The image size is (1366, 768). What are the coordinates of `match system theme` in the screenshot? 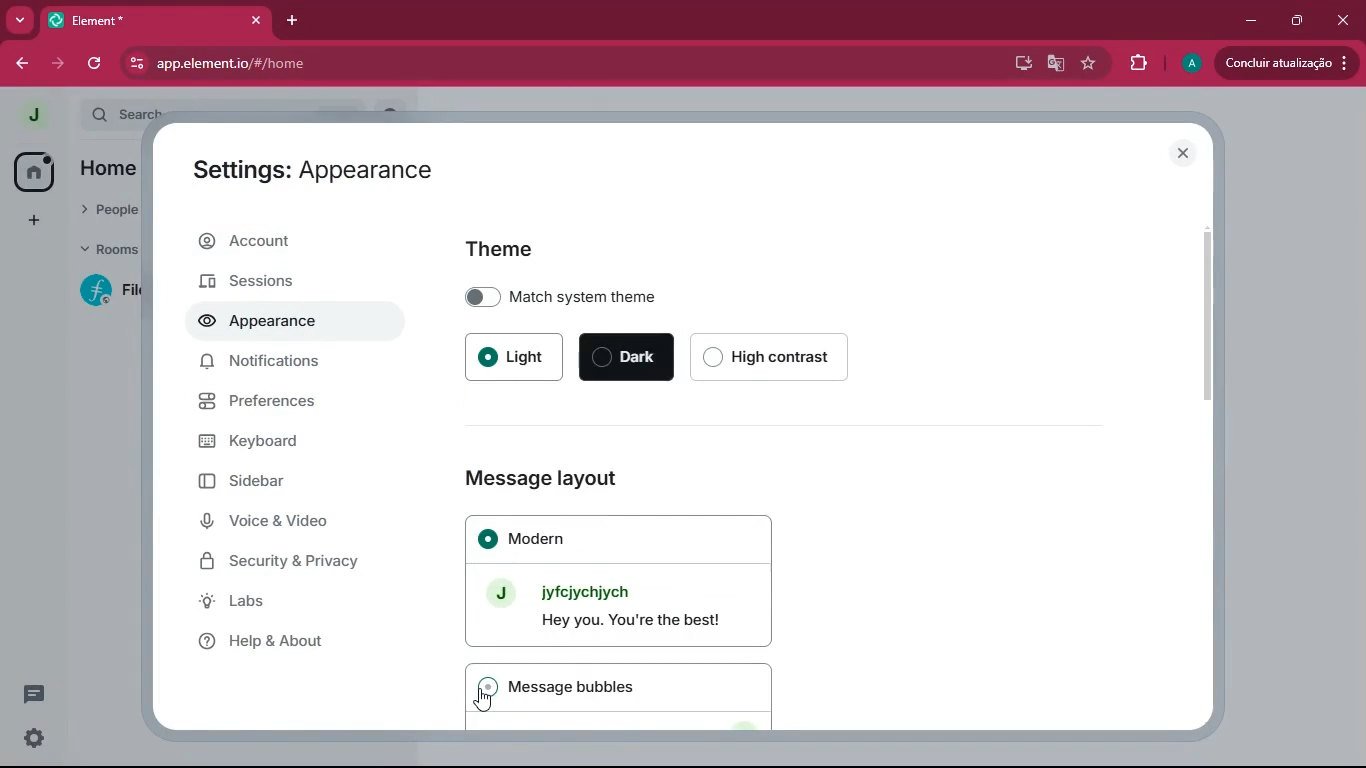 It's located at (638, 293).